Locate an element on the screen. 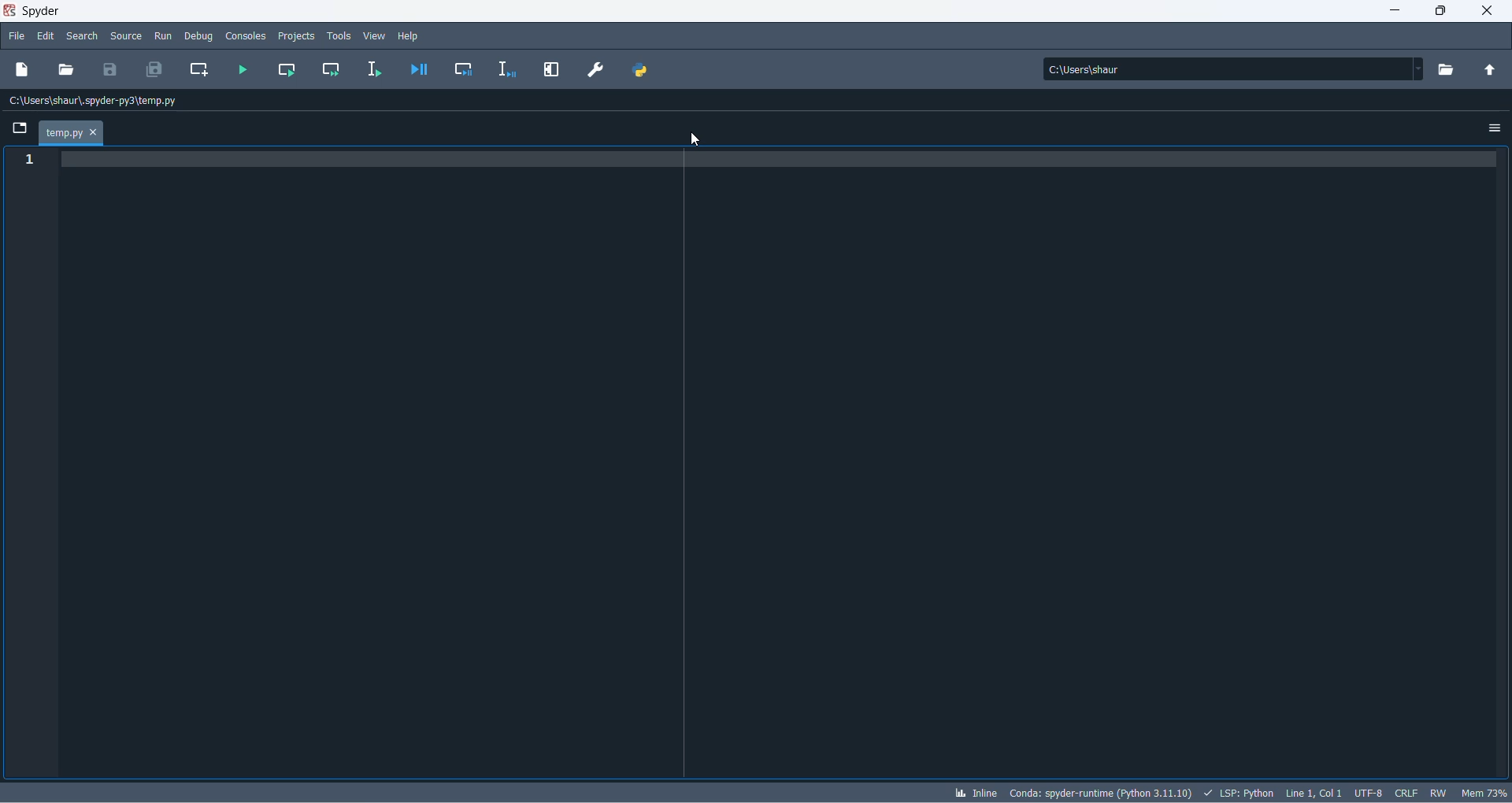  options is located at coordinates (1494, 128).